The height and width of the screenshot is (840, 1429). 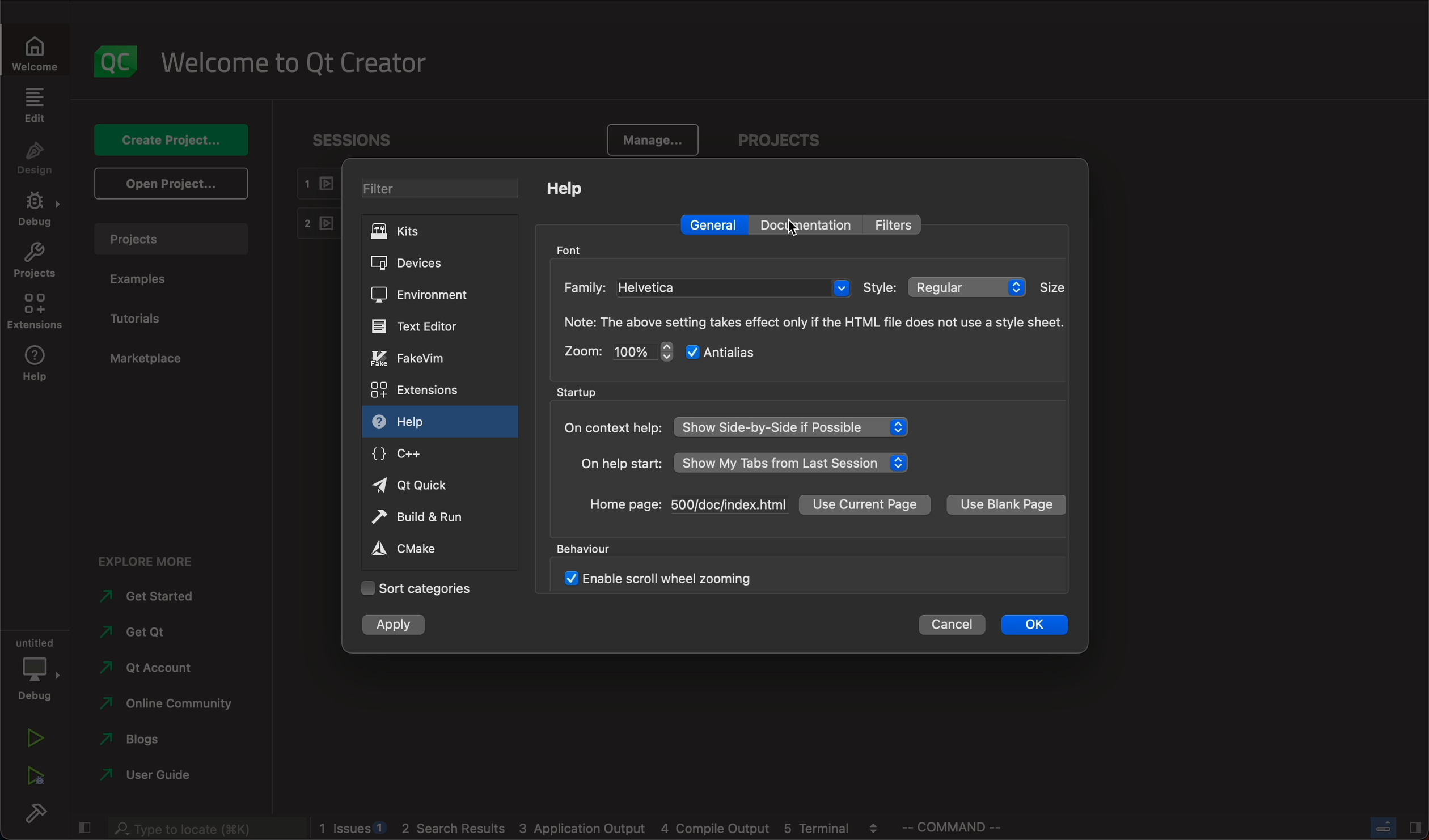 What do you see at coordinates (969, 828) in the screenshot?
I see `command` at bounding box center [969, 828].